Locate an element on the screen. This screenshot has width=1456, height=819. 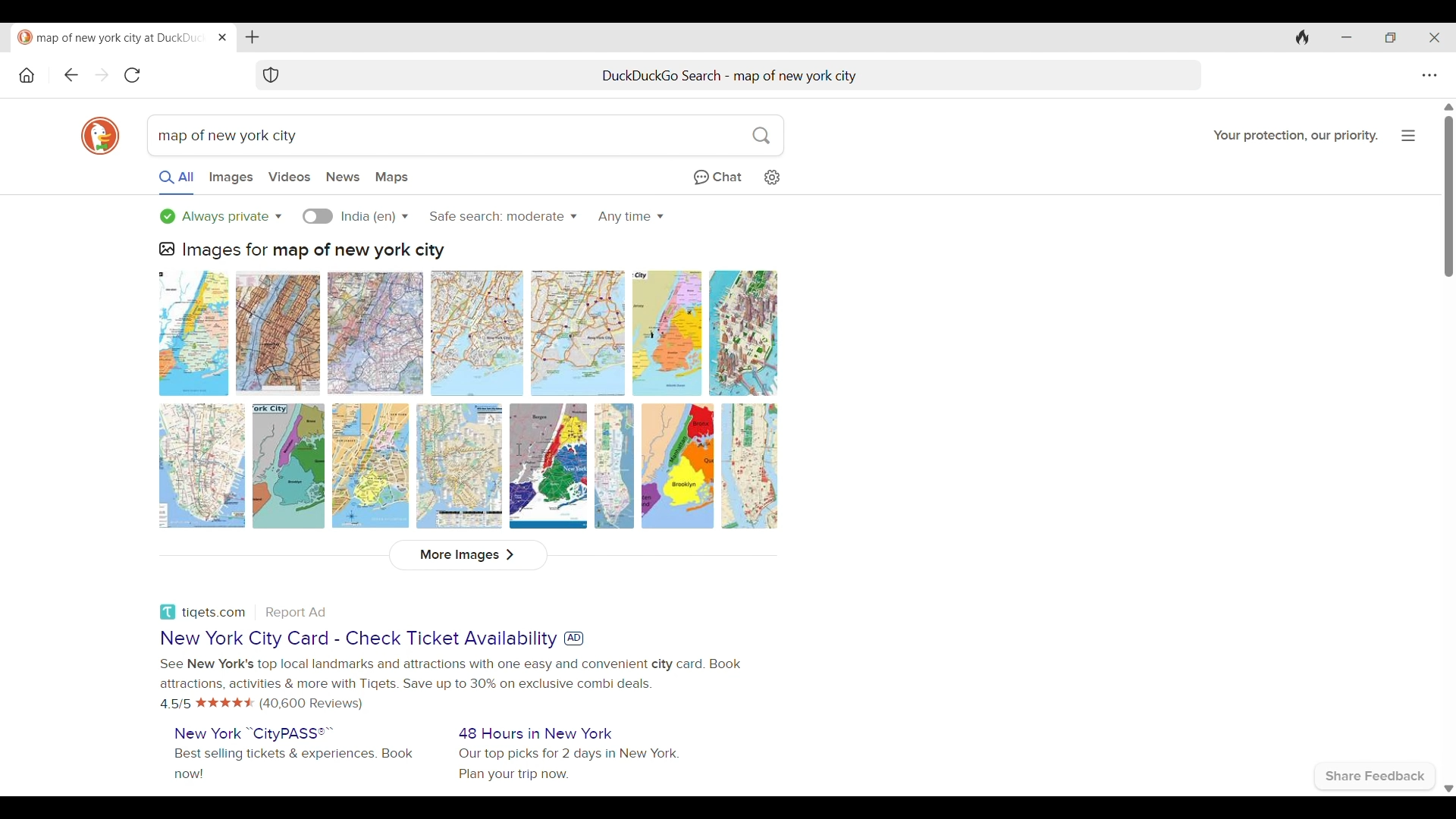
map of new york city at DuckDuckGo is located at coordinates (111, 38).